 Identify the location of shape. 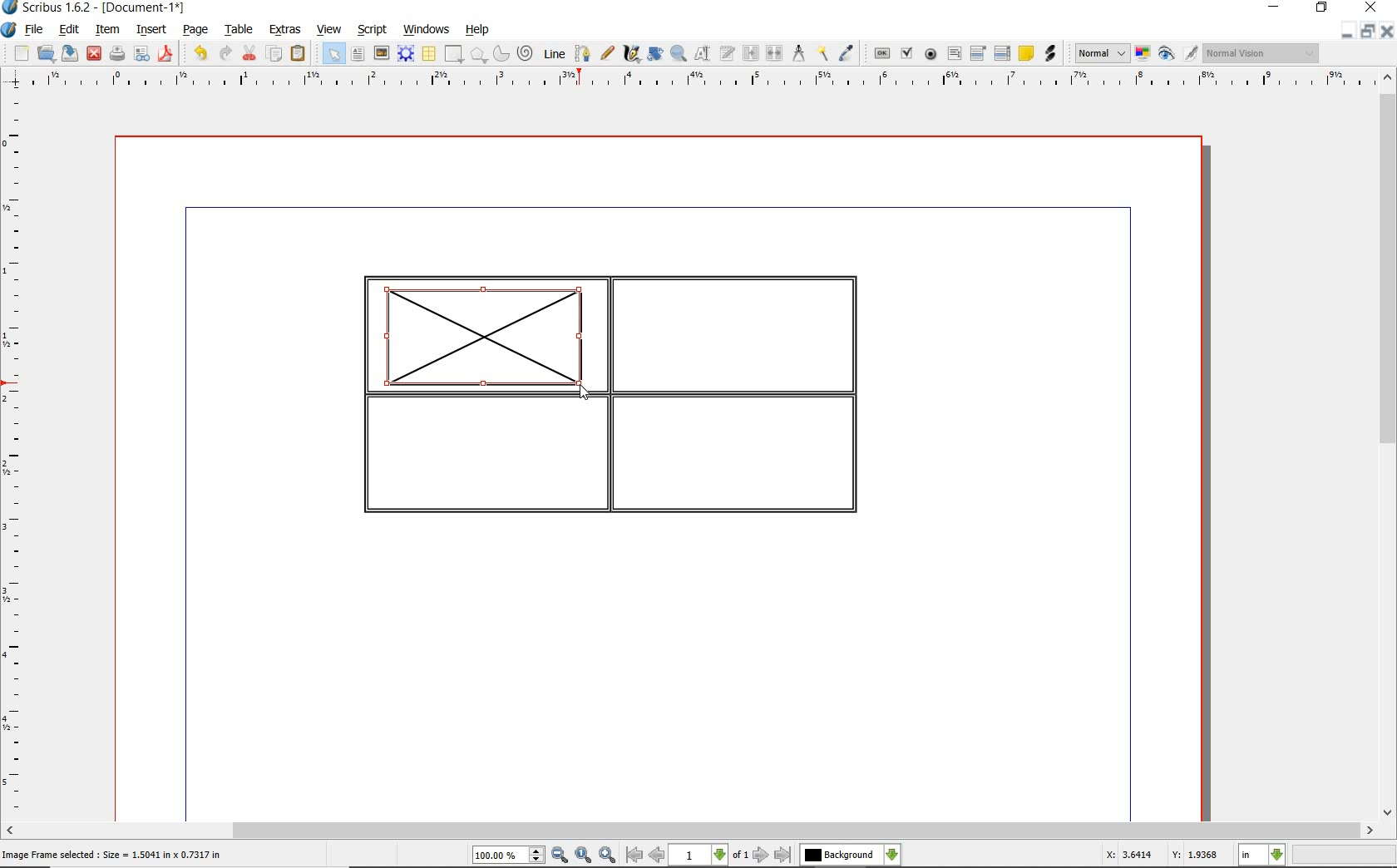
(452, 55).